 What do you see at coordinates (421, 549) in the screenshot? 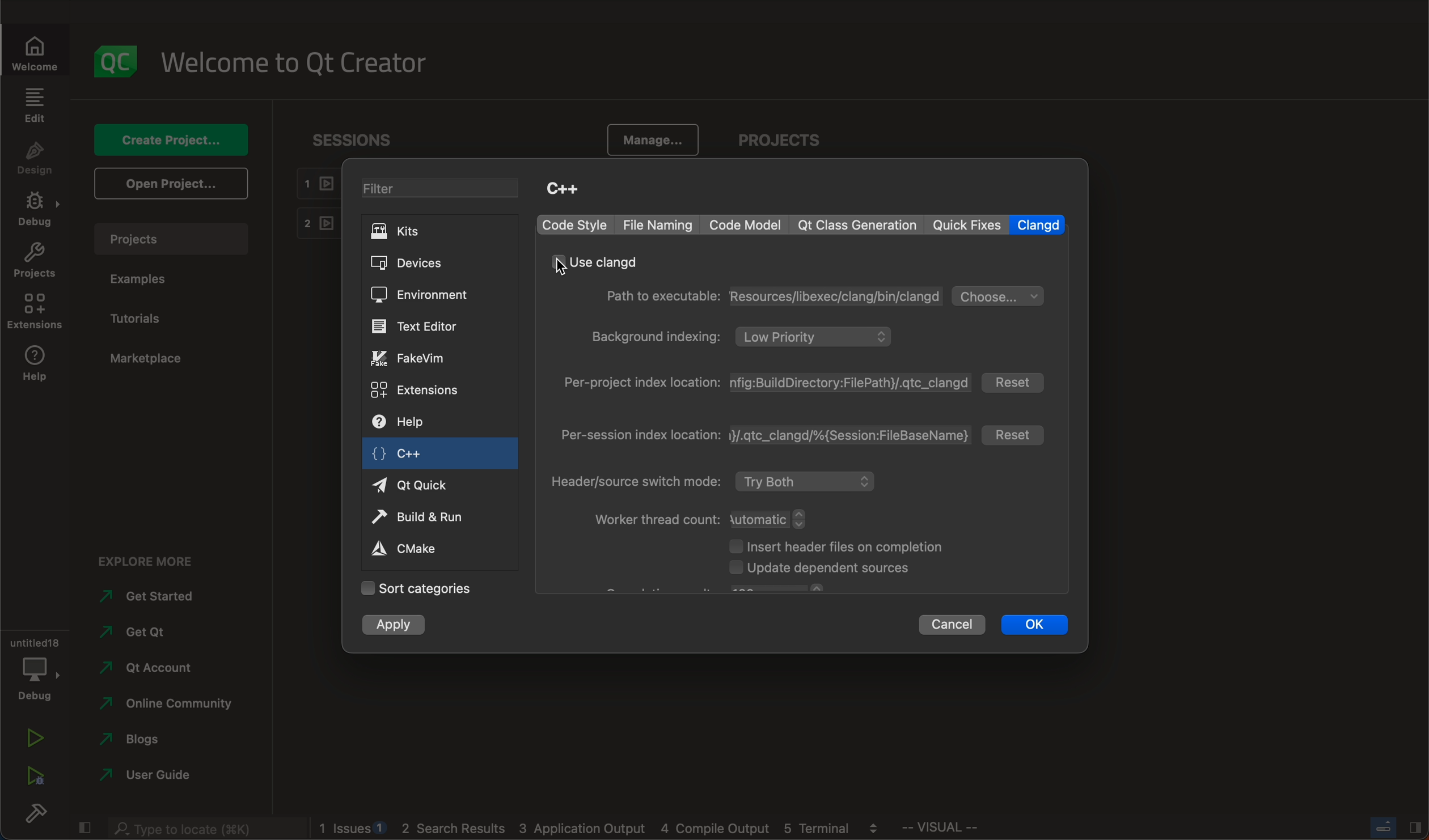
I see `cmake` at bounding box center [421, 549].